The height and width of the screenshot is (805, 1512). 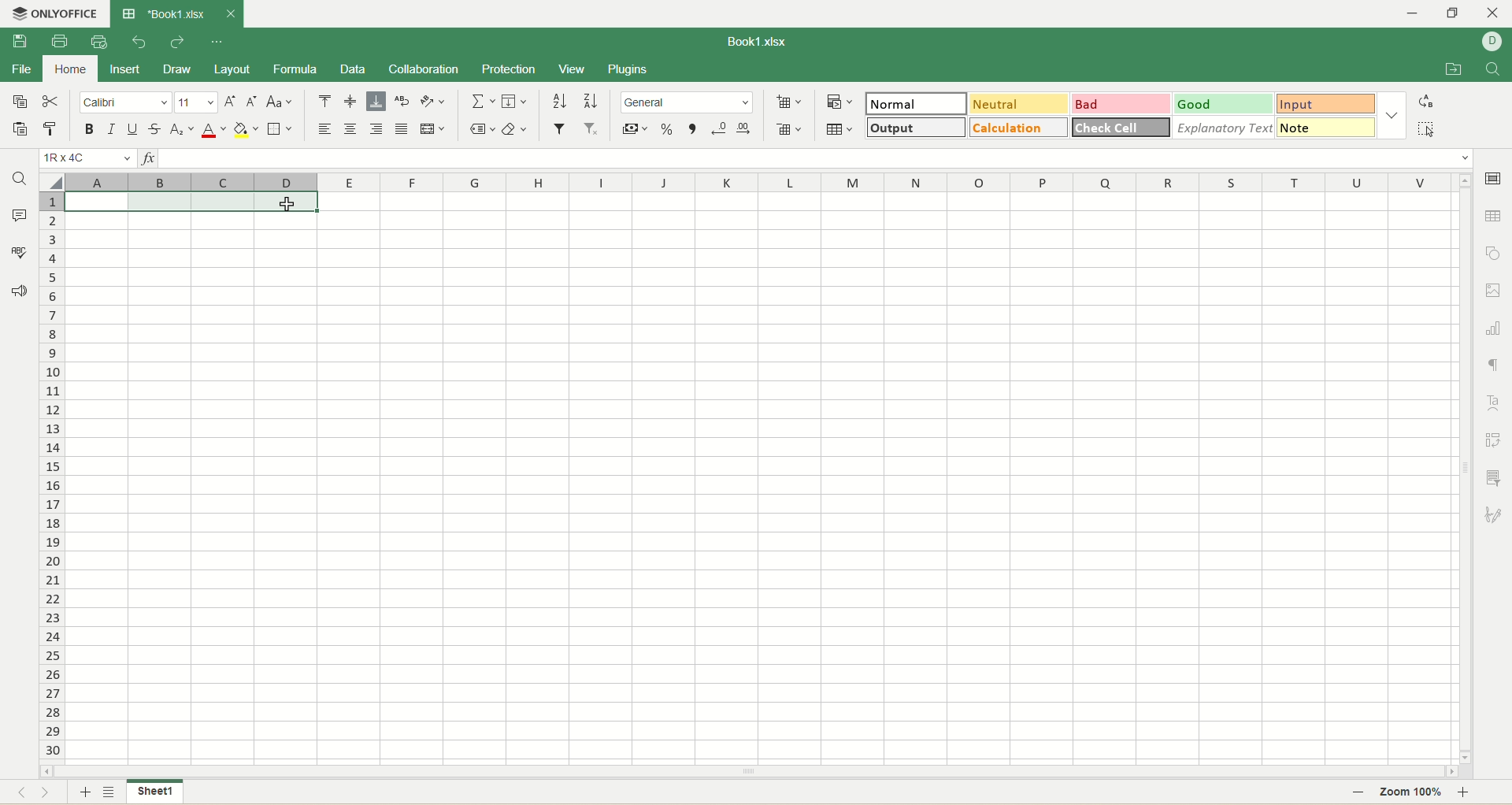 What do you see at coordinates (692, 128) in the screenshot?
I see `comma style` at bounding box center [692, 128].